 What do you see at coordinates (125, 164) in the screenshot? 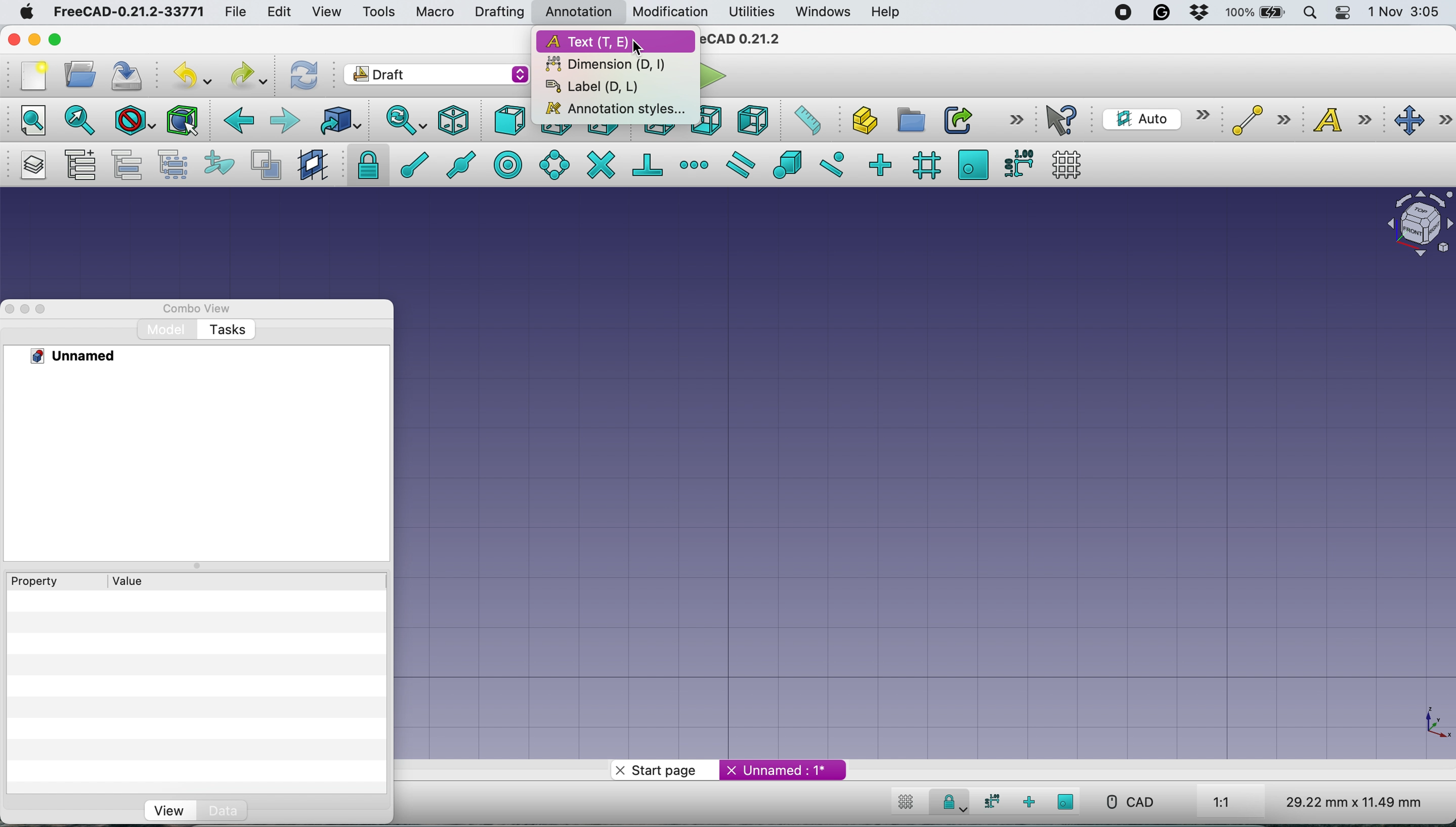
I see `move to group` at bounding box center [125, 164].